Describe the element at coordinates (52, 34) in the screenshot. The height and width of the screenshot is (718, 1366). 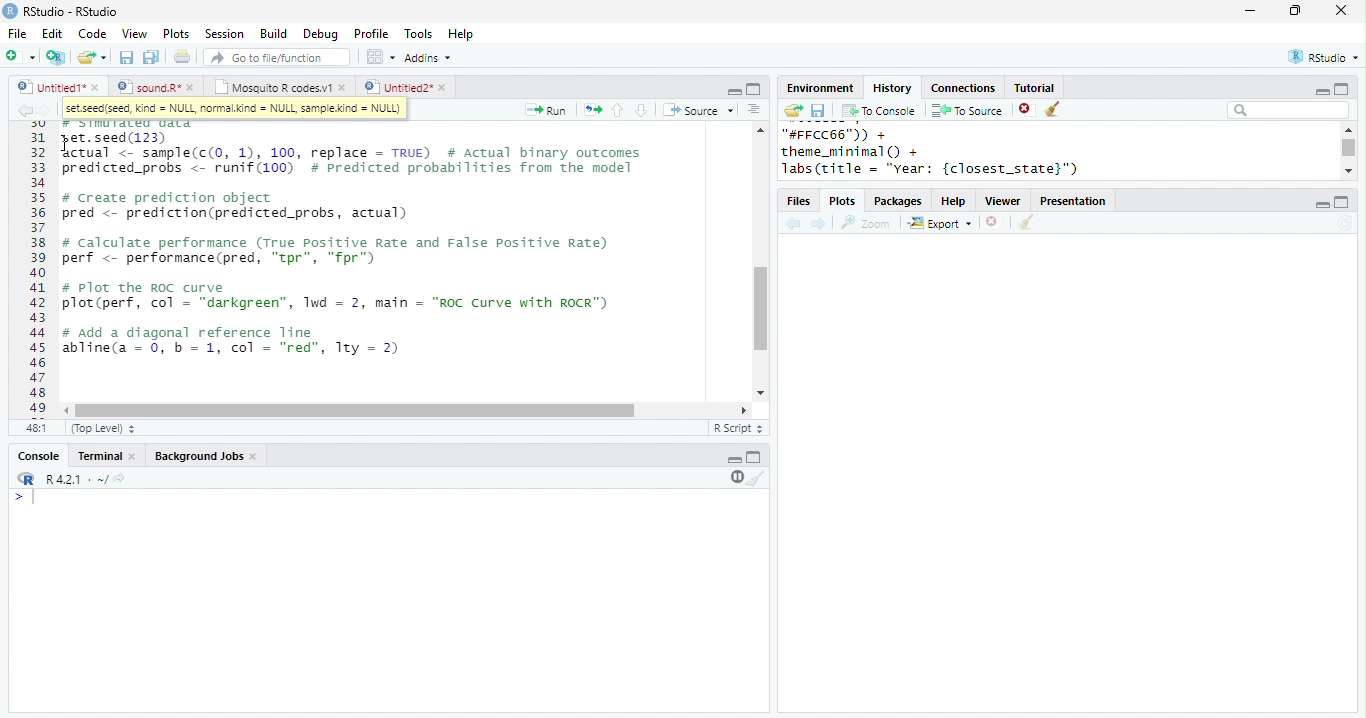
I see `Edit` at that location.